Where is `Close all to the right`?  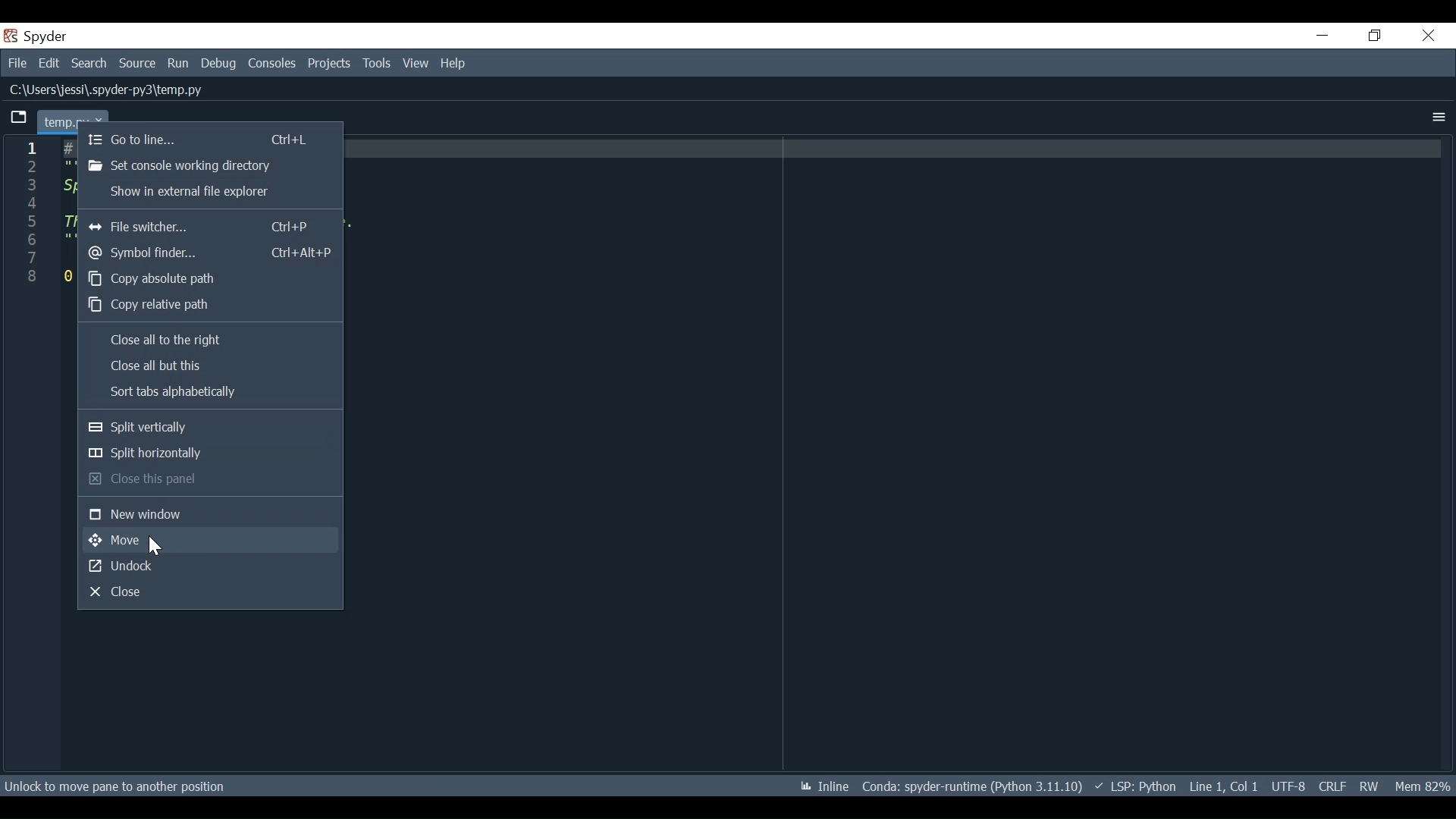
Close all to the right is located at coordinates (210, 340).